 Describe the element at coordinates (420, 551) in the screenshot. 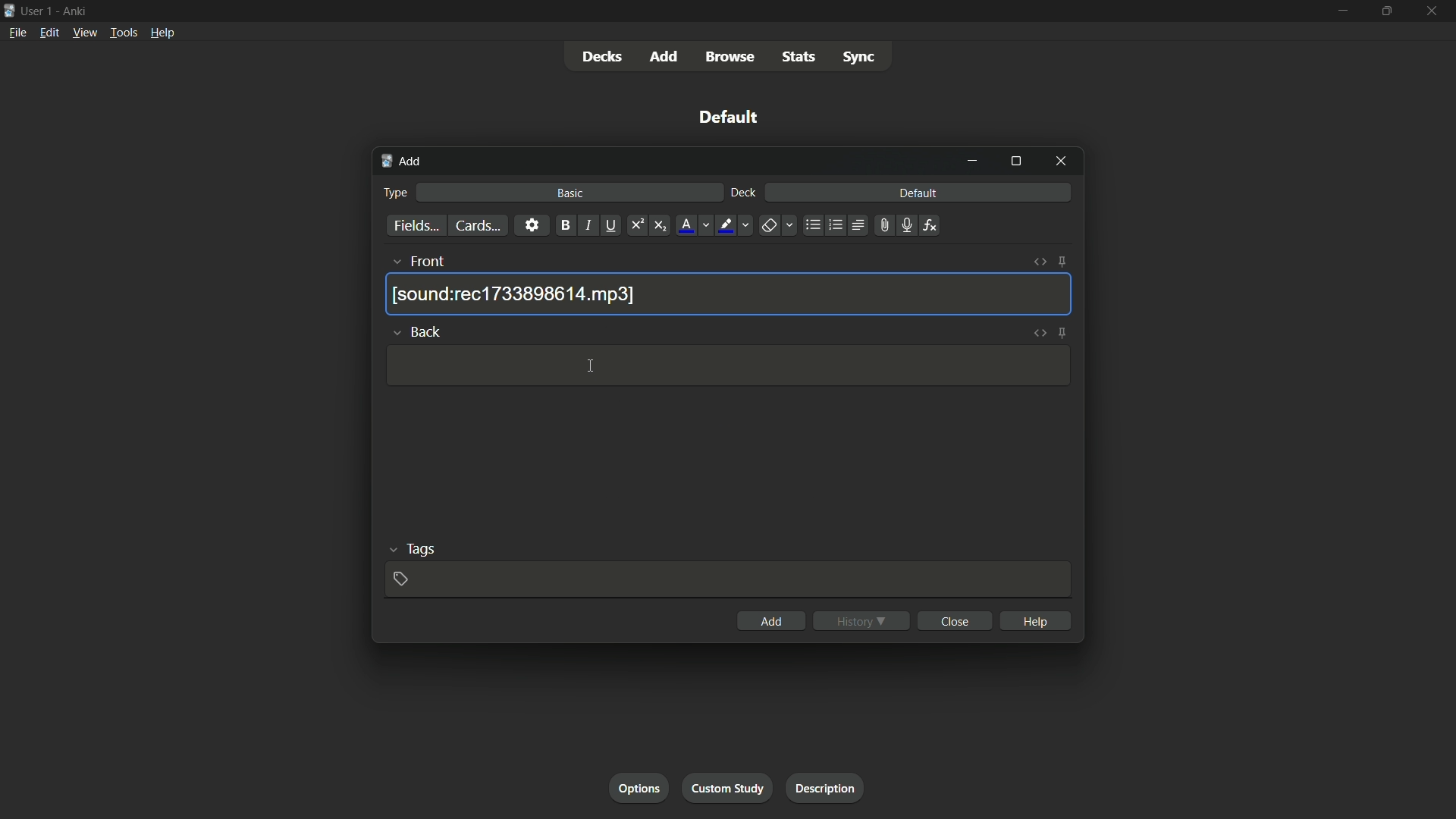

I see `tags` at that location.